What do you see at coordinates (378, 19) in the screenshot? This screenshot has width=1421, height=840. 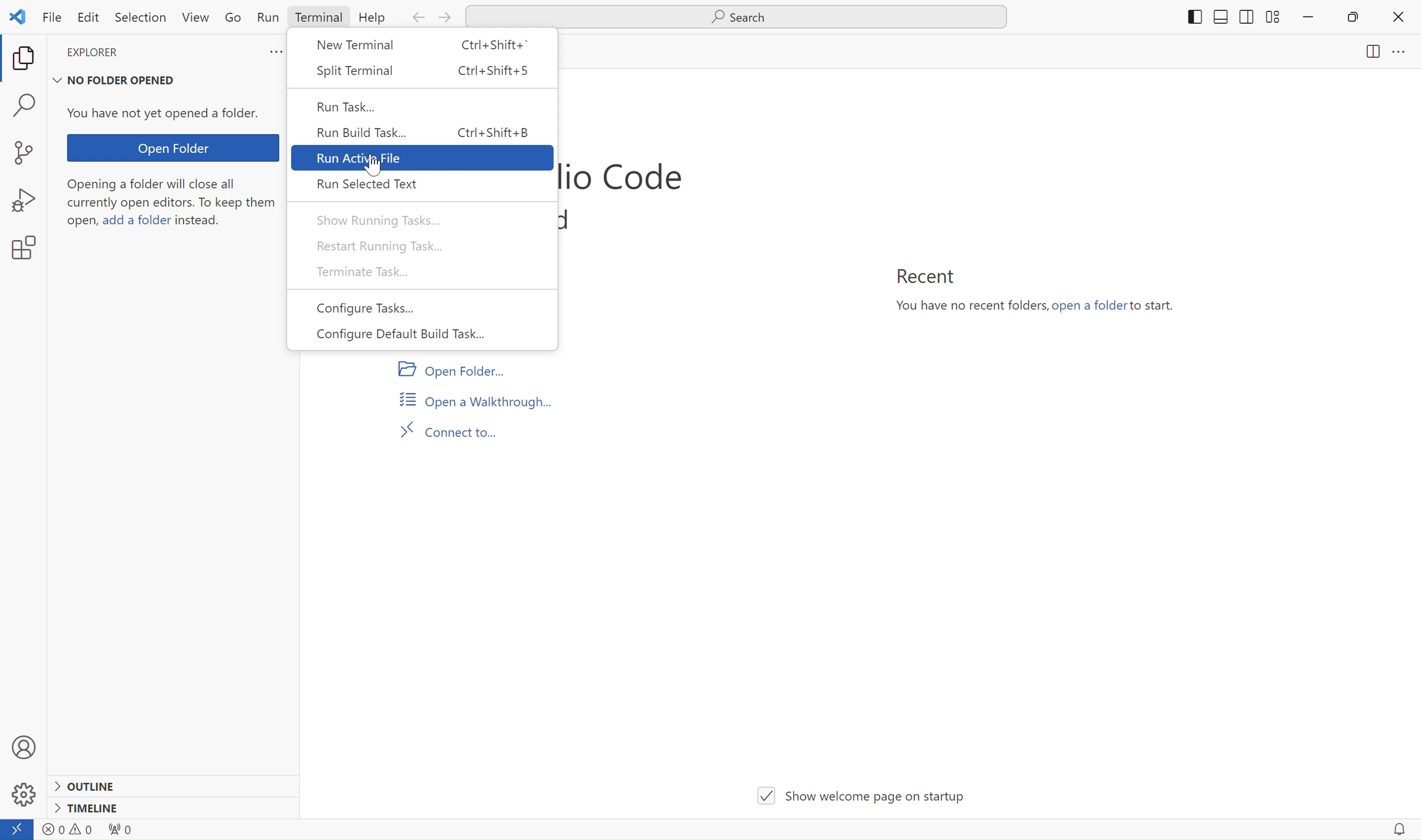 I see `Help` at bounding box center [378, 19].